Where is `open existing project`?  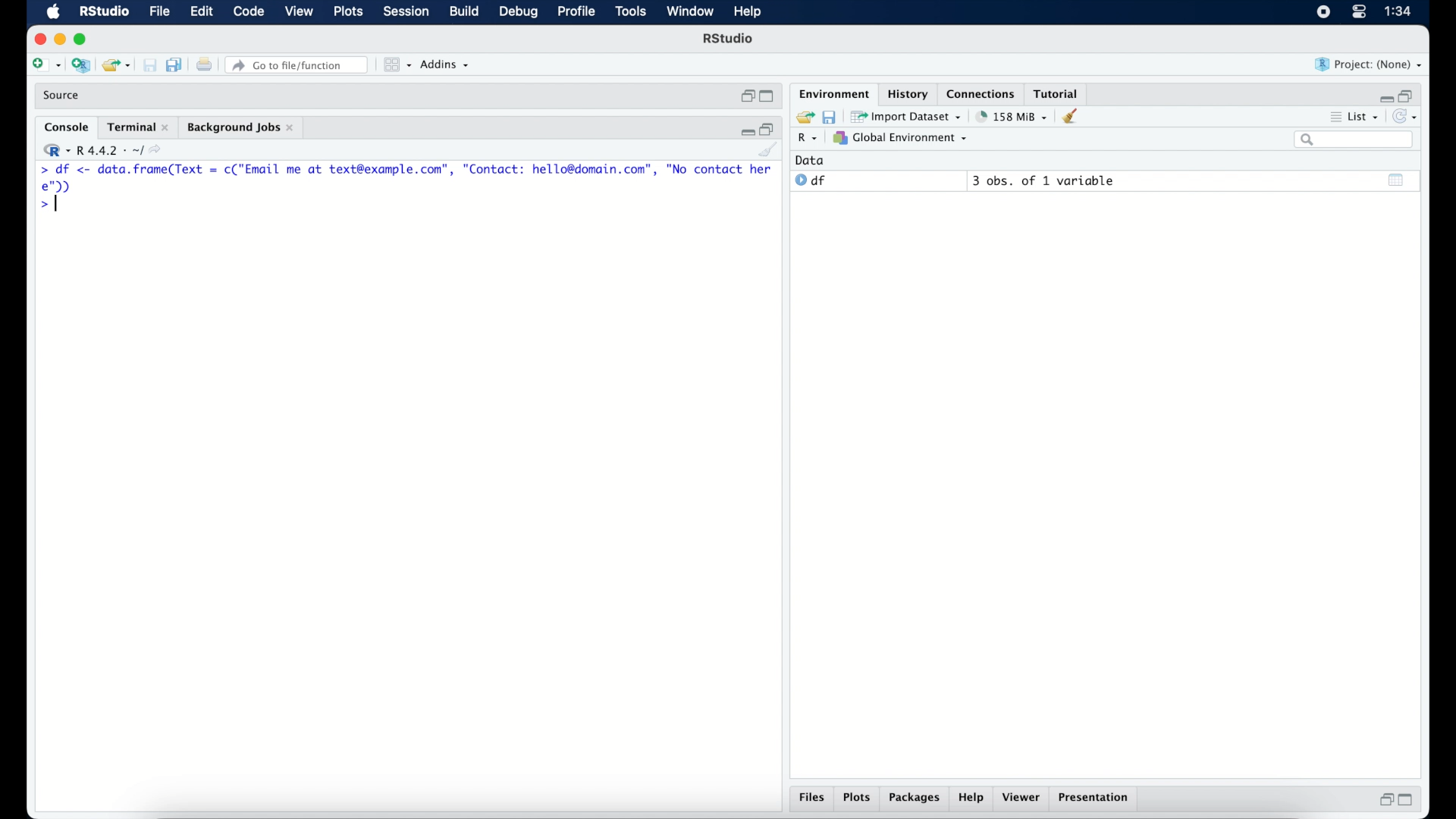 open existing project is located at coordinates (115, 64).